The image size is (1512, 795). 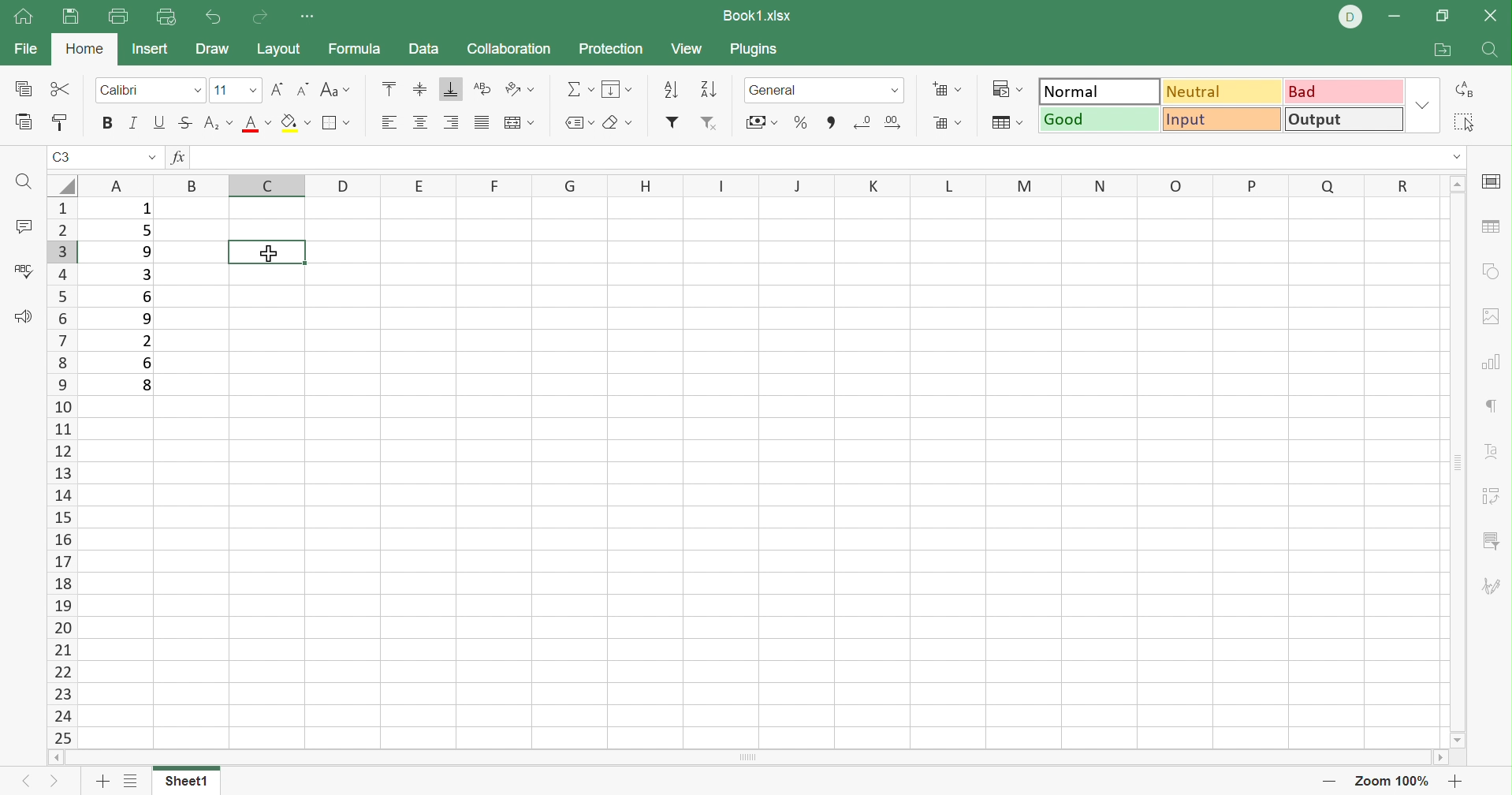 What do you see at coordinates (1446, 13) in the screenshot?
I see `Restore Down` at bounding box center [1446, 13].